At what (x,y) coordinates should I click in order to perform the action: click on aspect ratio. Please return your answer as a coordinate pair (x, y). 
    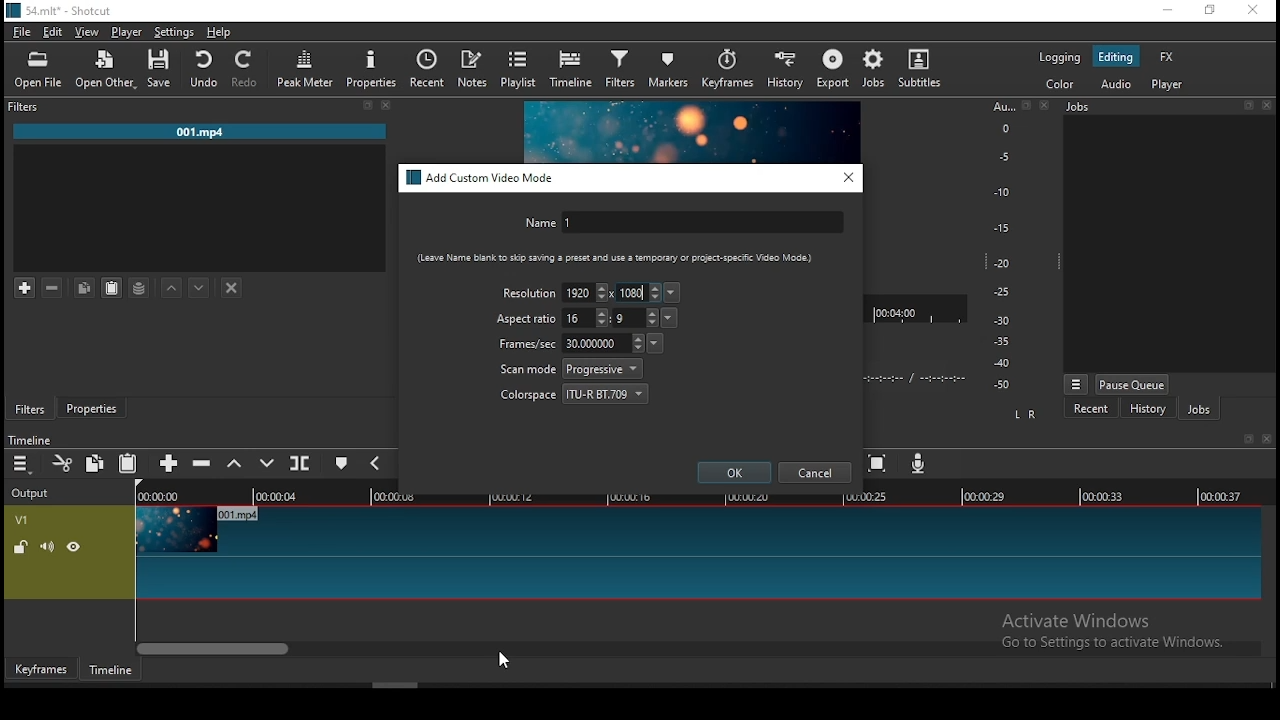
    Looking at the image, I should click on (527, 319).